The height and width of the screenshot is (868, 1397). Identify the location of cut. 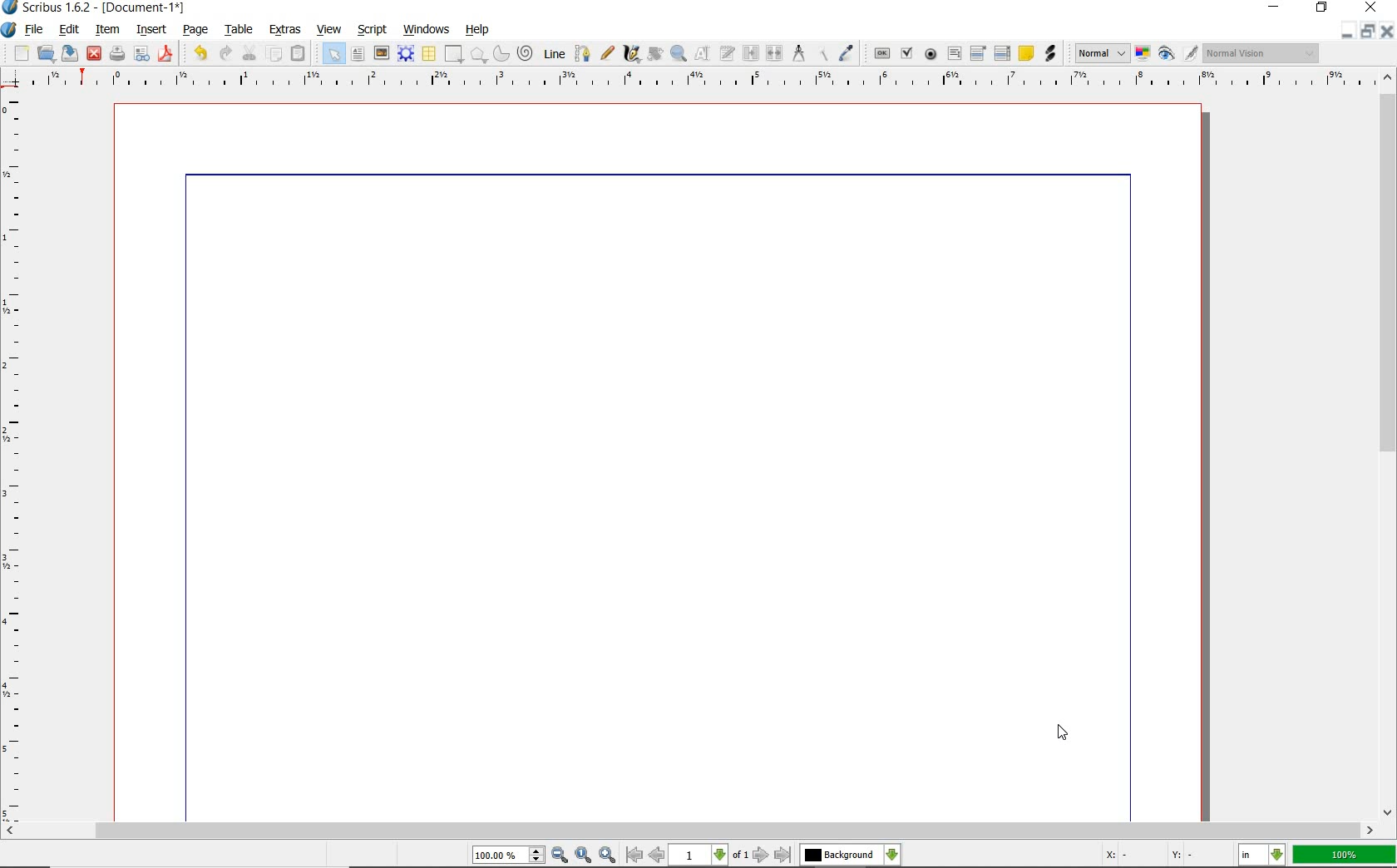
(250, 53).